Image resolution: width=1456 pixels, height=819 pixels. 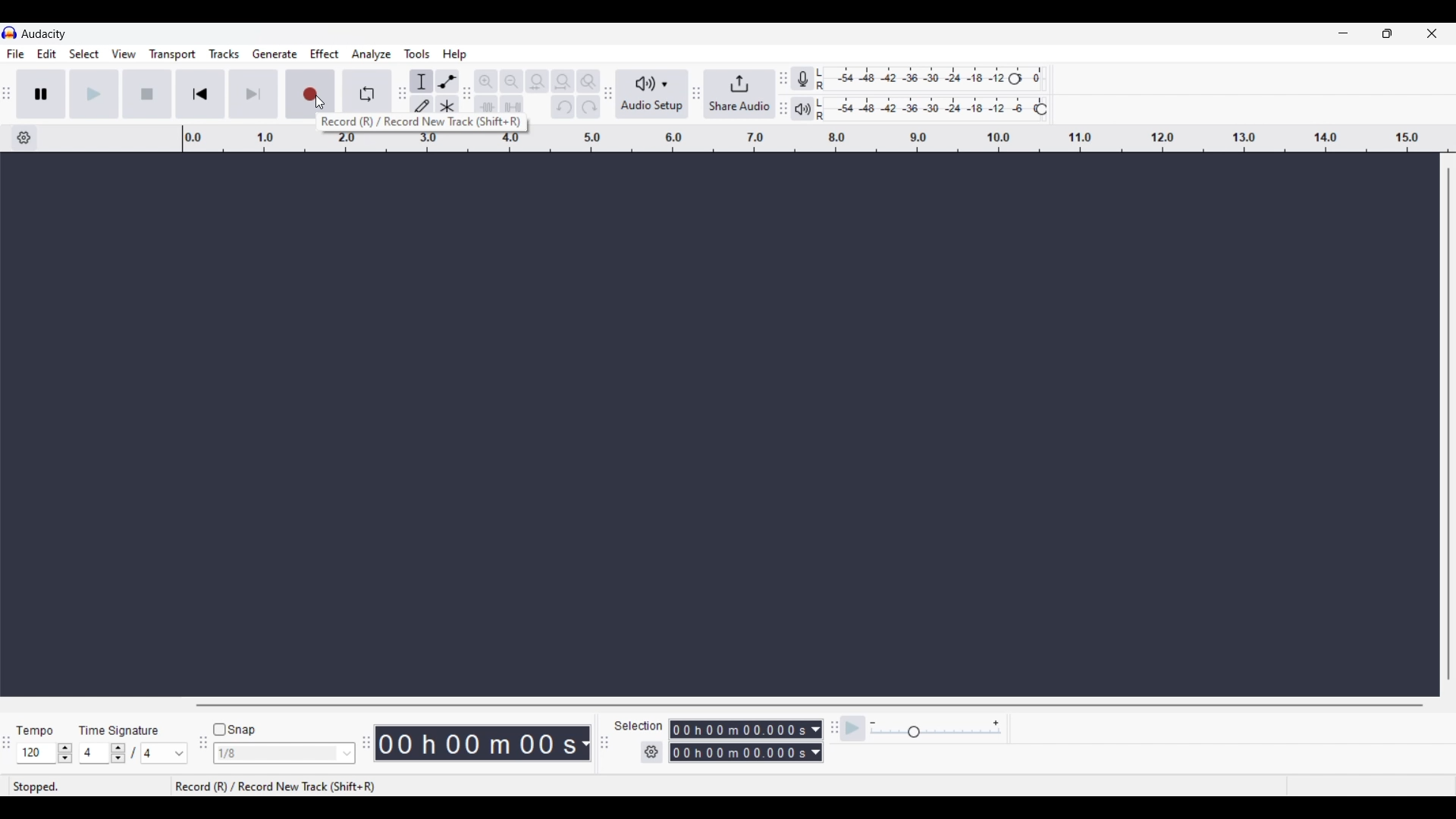 I want to click on Measurement for selection duration, so click(x=816, y=741).